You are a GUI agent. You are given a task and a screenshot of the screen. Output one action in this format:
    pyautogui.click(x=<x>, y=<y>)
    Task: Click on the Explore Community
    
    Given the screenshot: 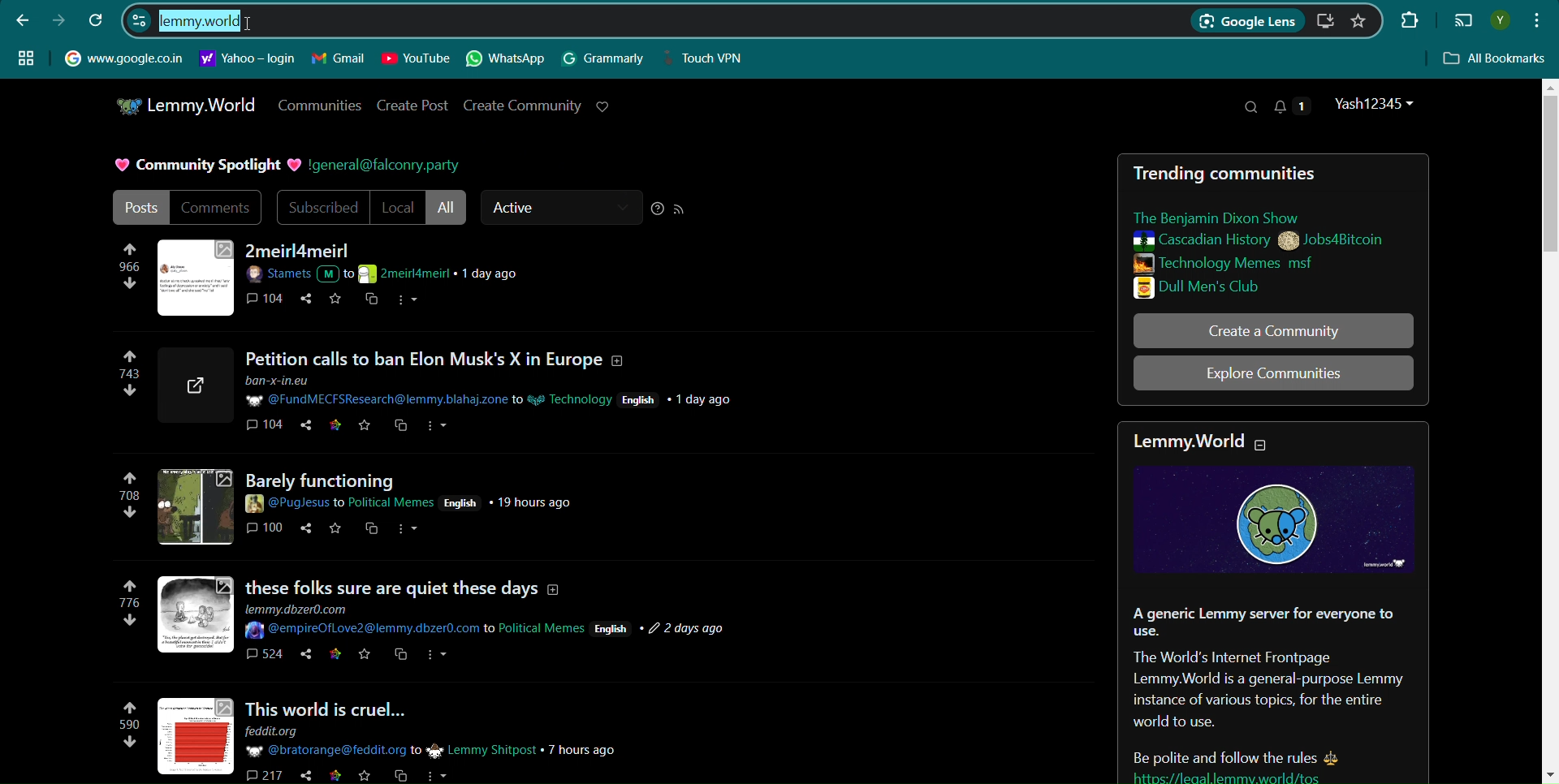 What is the action you would take?
    pyautogui.click(x=1273, y=373)
    